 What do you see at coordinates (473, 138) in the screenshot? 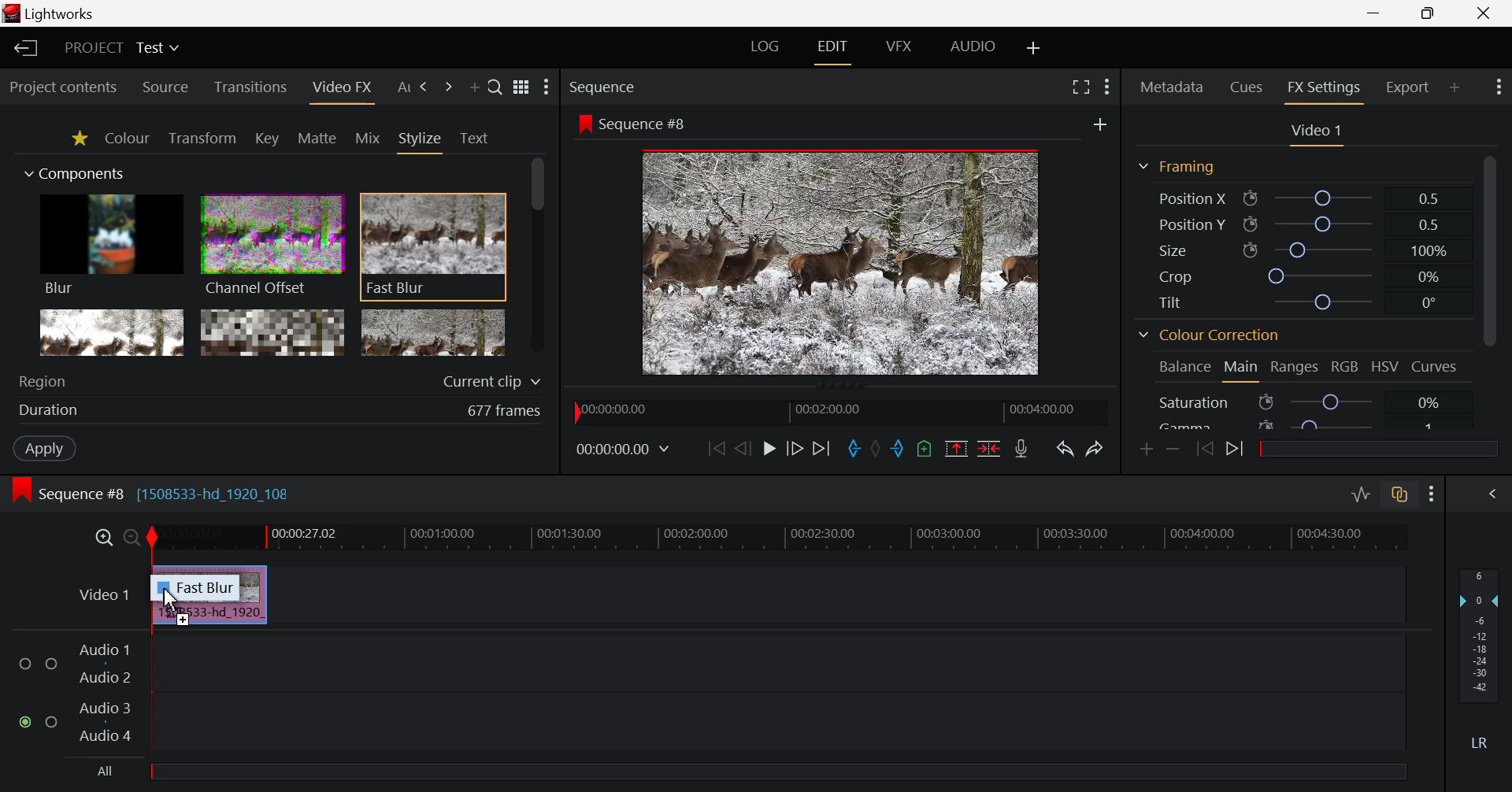
I see `Text` at bounding box center [473, 138].